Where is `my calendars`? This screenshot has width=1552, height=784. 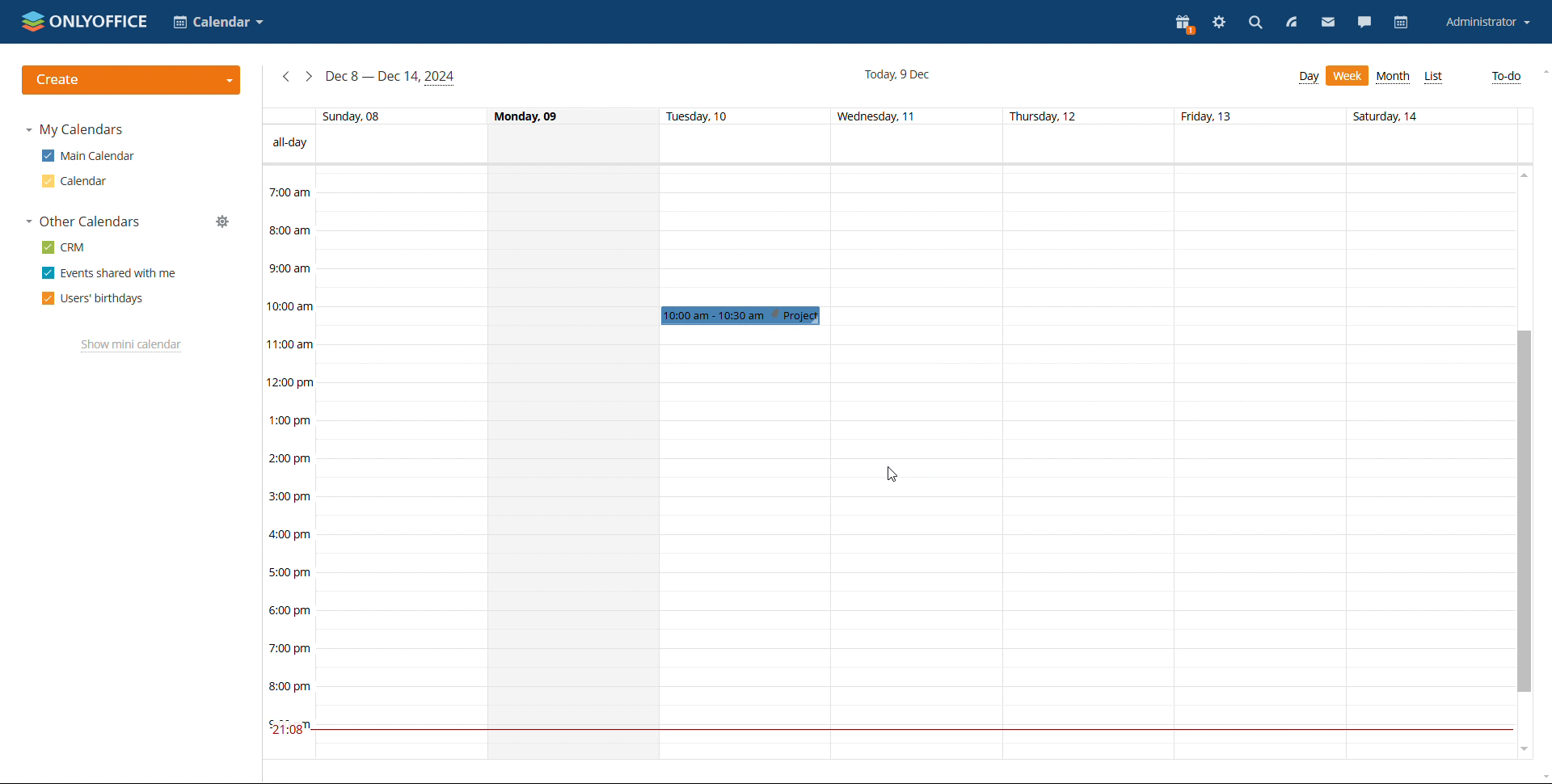
my calendars is located at coordinates (74, 130).